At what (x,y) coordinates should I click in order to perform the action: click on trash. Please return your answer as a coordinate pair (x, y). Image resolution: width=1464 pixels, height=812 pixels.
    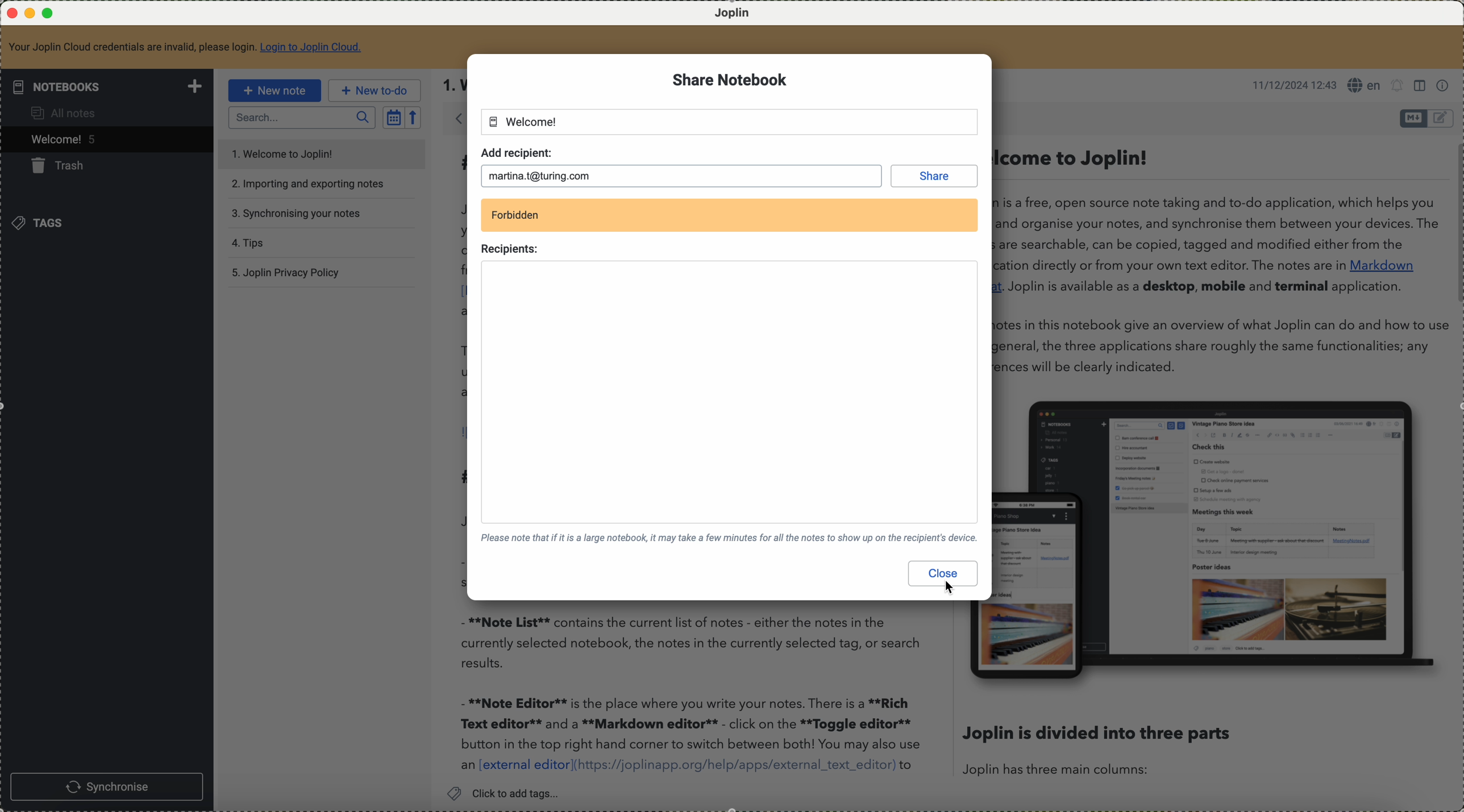
    Looking at the image, I should click on (64, 168).